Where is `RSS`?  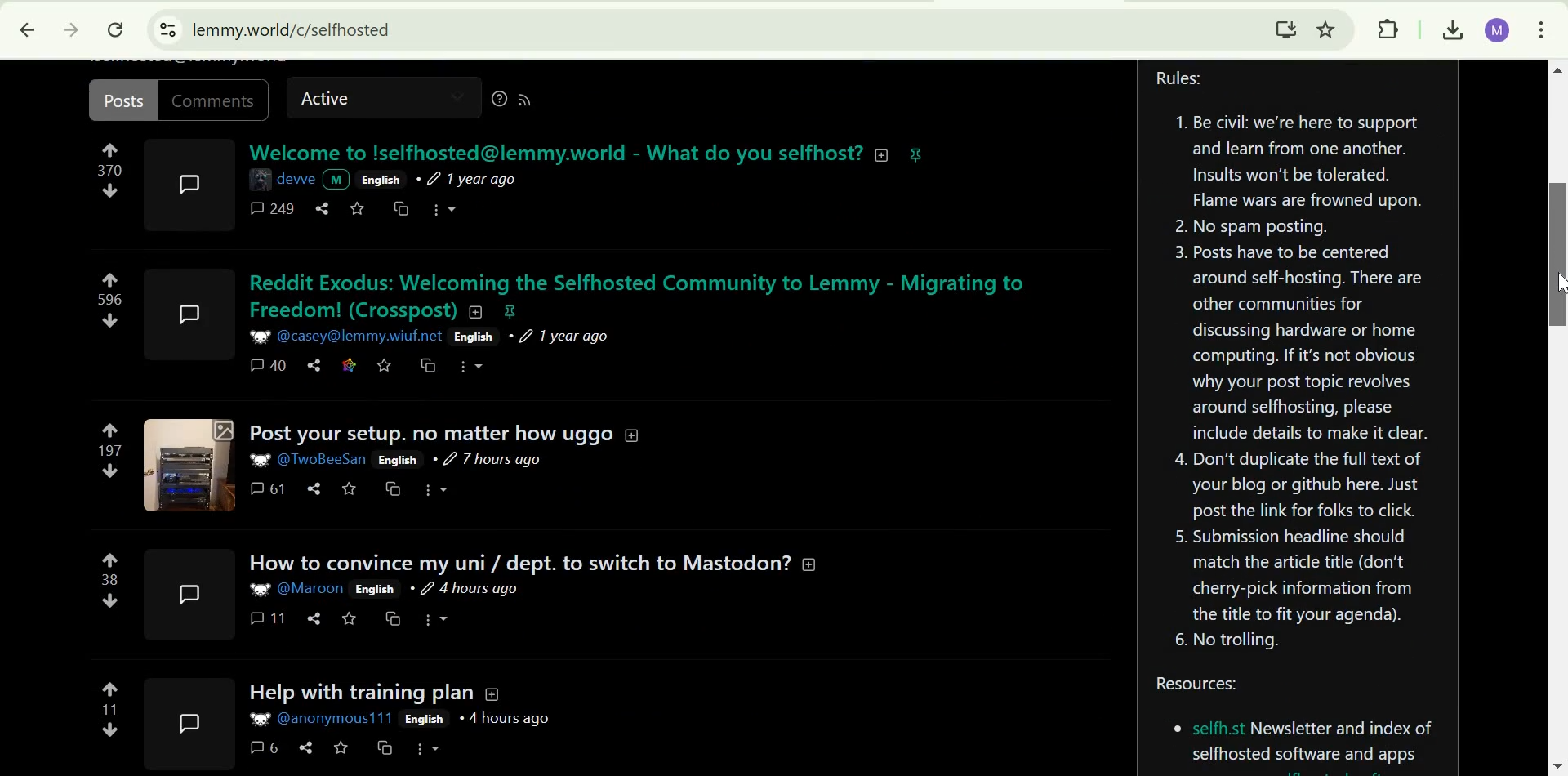
RSS is located at coordinates (532, 100).